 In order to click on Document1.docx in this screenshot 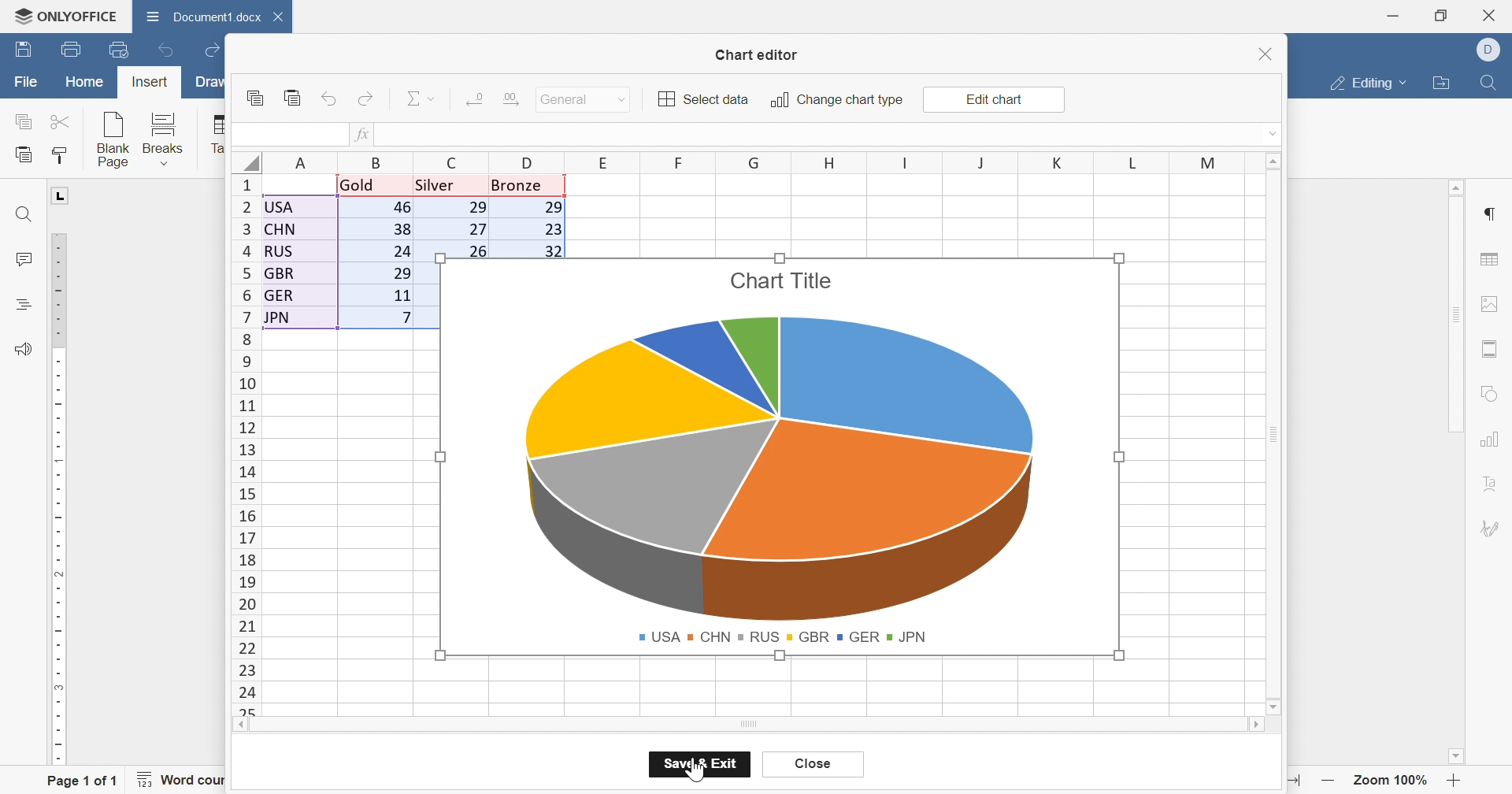, I will do `click(206, 17)`.